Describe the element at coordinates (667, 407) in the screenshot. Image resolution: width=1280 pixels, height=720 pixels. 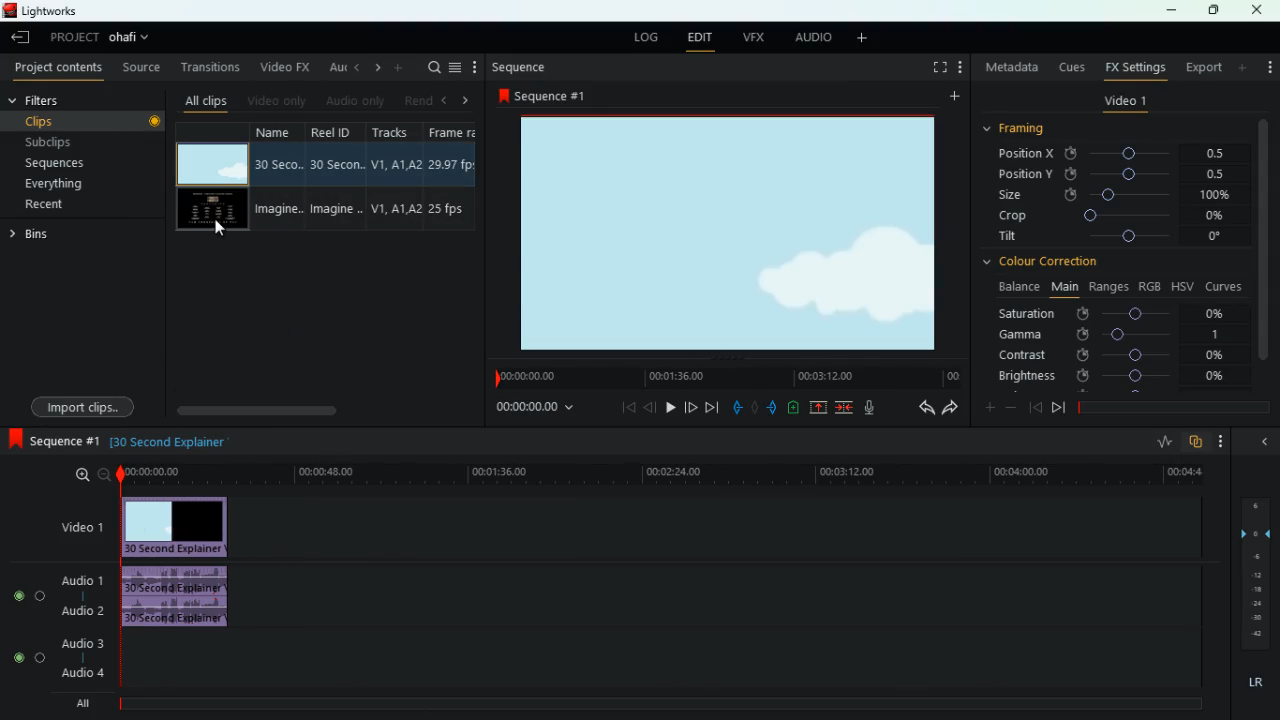
I see `play` at that location.